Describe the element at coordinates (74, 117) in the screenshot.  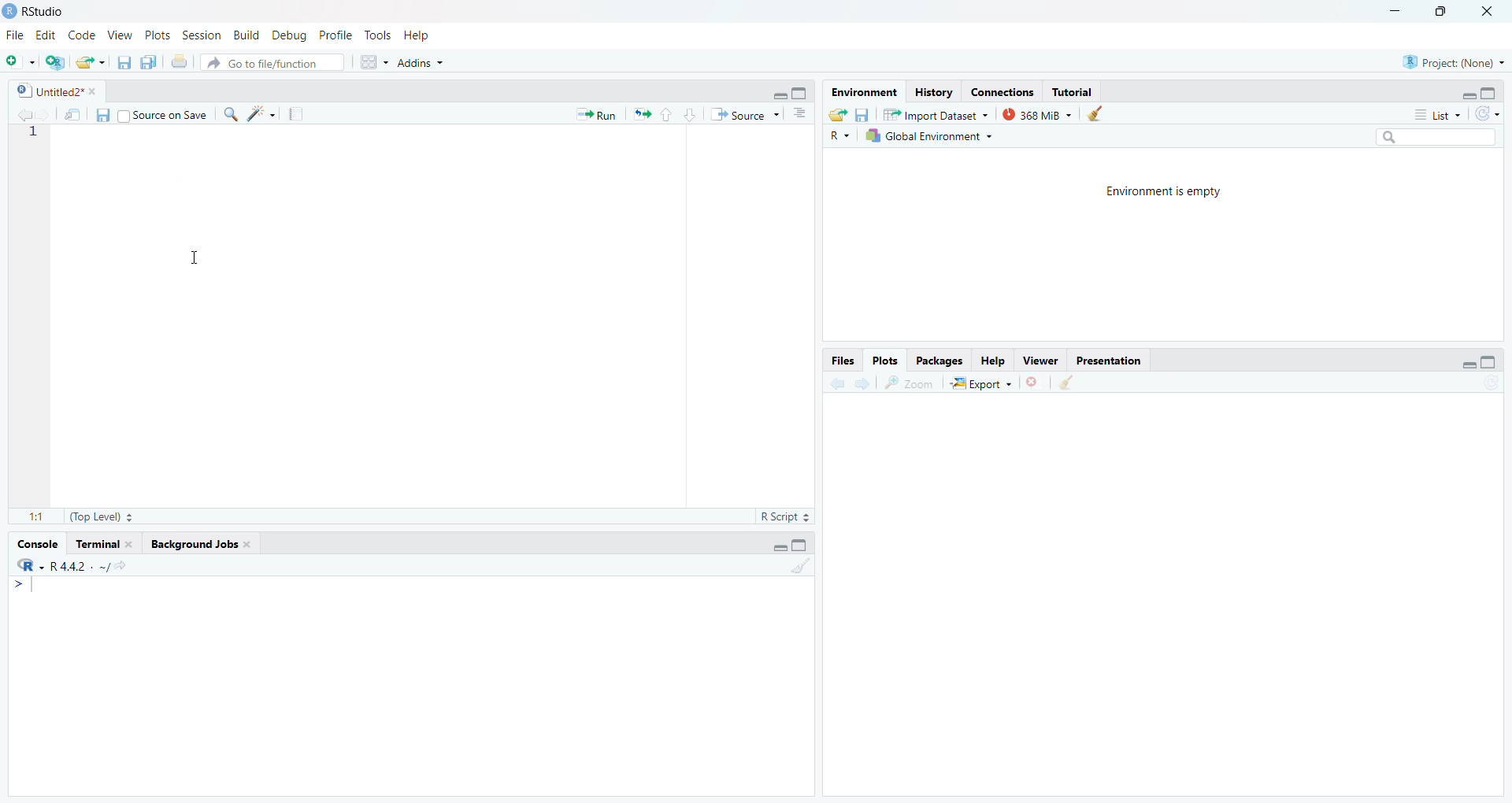
I see `move` at that location.